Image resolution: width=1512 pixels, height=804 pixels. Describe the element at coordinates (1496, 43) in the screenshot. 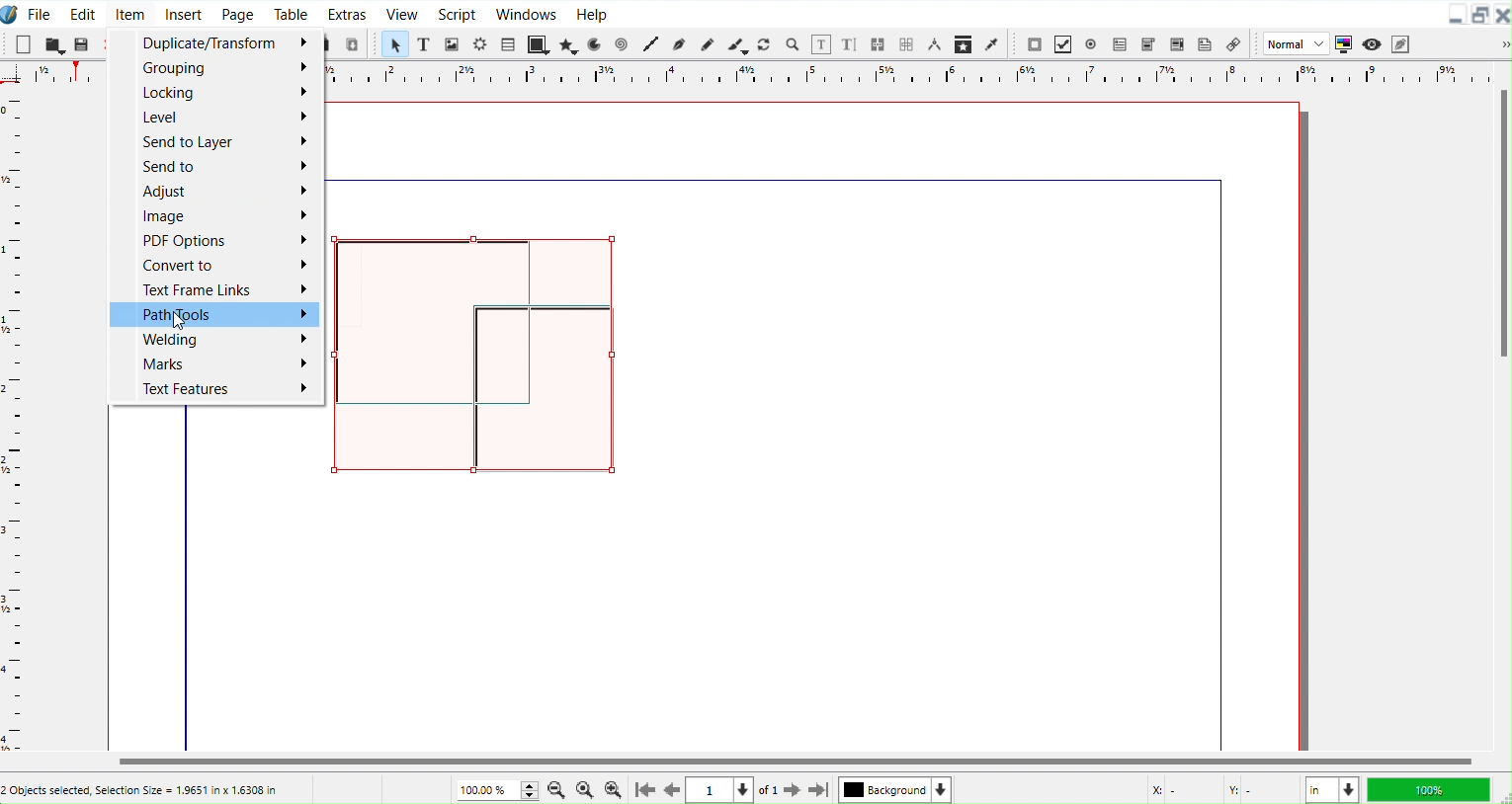

I see `Drop down box` at that location.